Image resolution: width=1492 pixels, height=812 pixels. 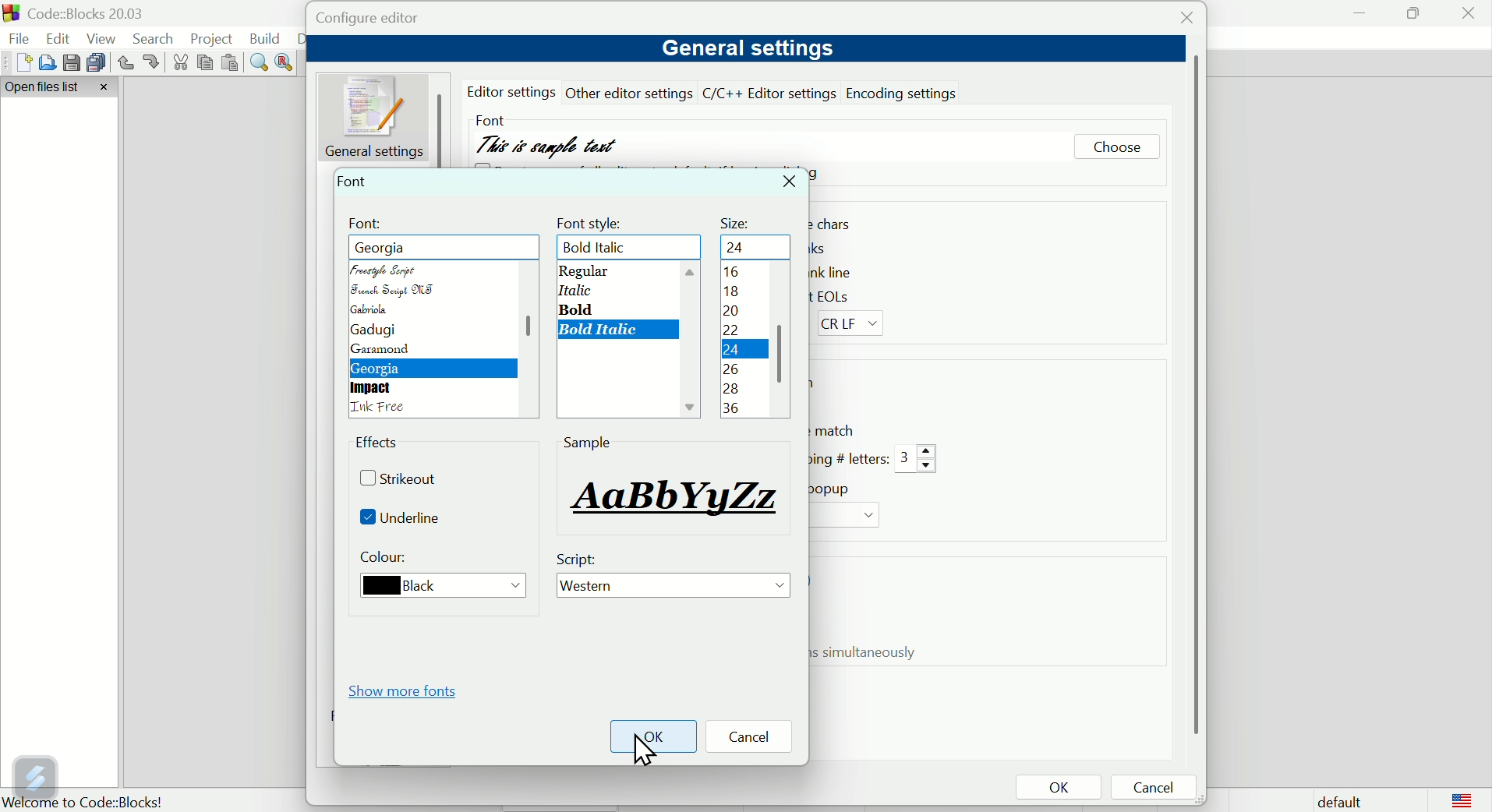 What do you see at coordinates (603, 248) in the screenshot?
I see `Bold oblique` at bounding box center [603, 248].